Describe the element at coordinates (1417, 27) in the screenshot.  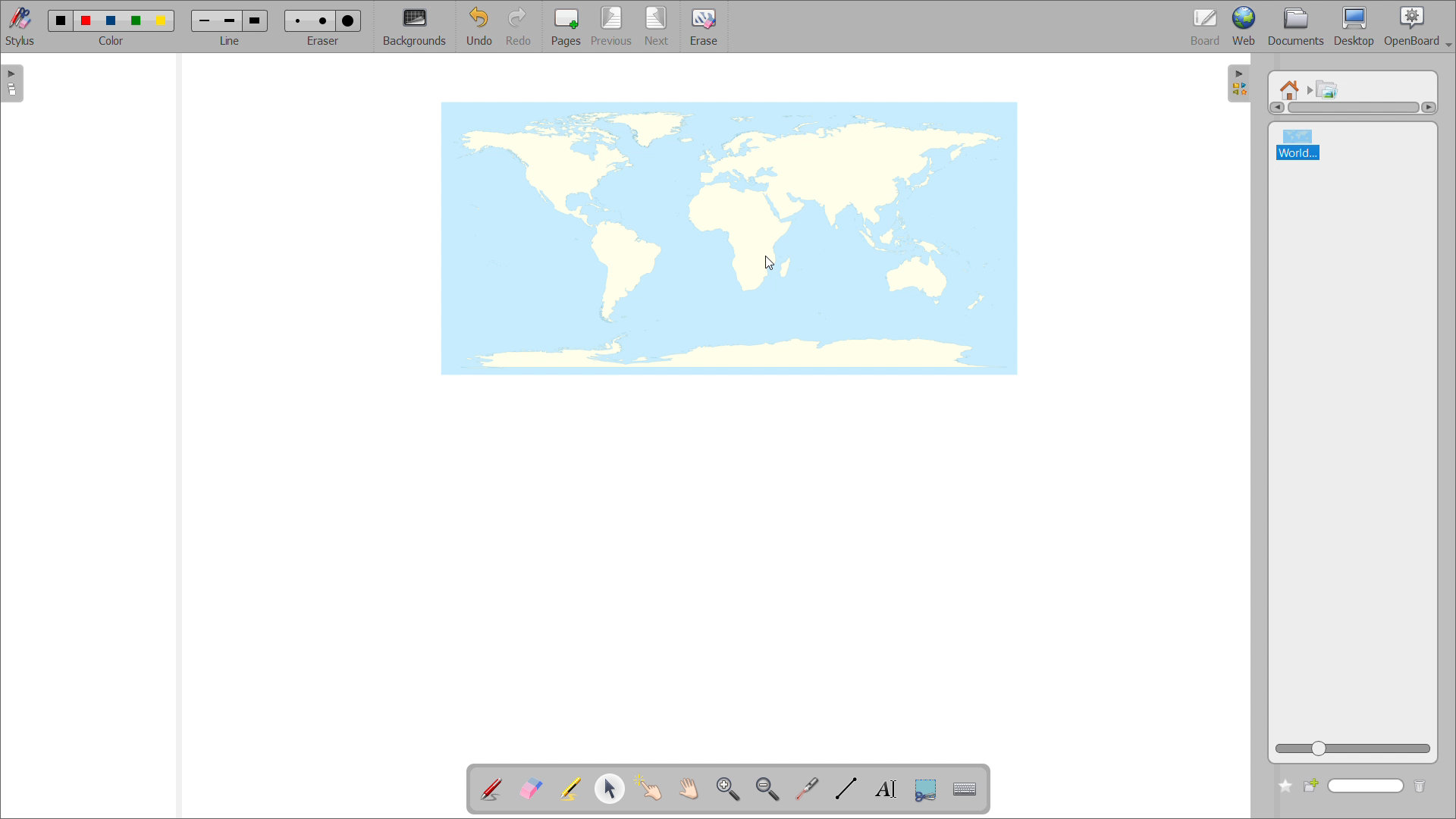
I see `openboard settings` at that location.